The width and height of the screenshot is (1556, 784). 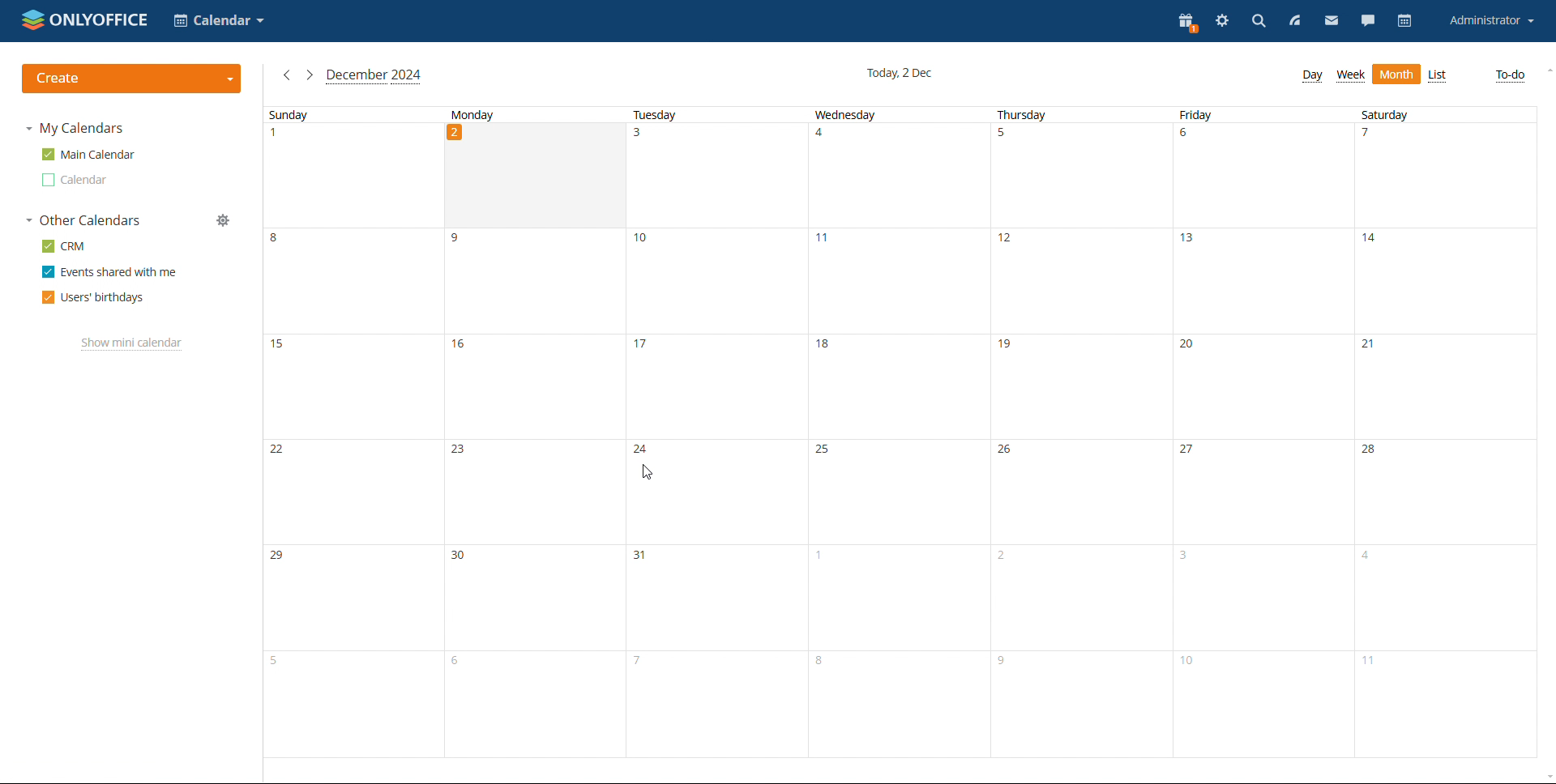 What do you see at coordinates (131, 79) in the screenshot?
I see `create` at bounding box center [131, 79].